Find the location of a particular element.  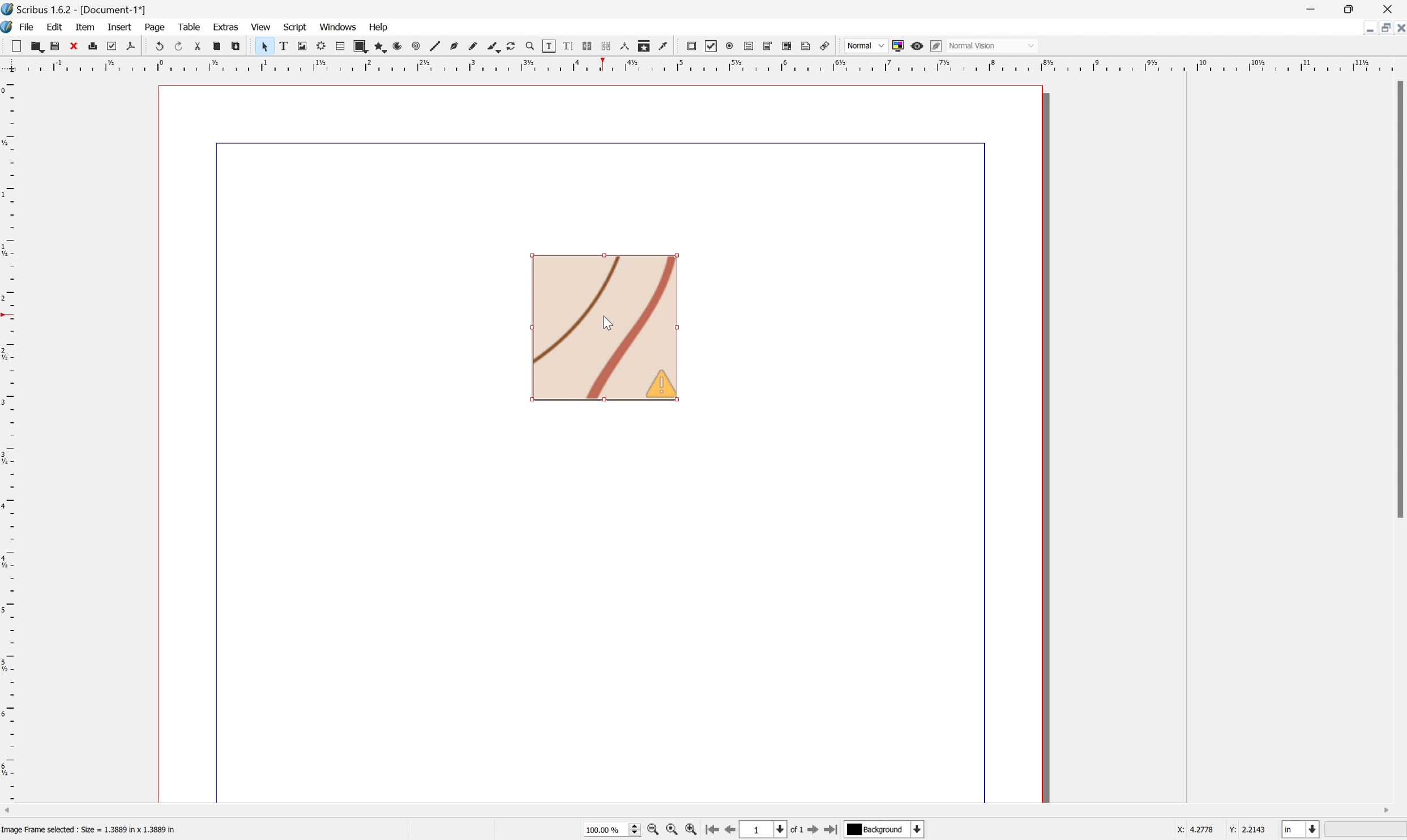

Zoom Out is located at coordinates (652, 831).